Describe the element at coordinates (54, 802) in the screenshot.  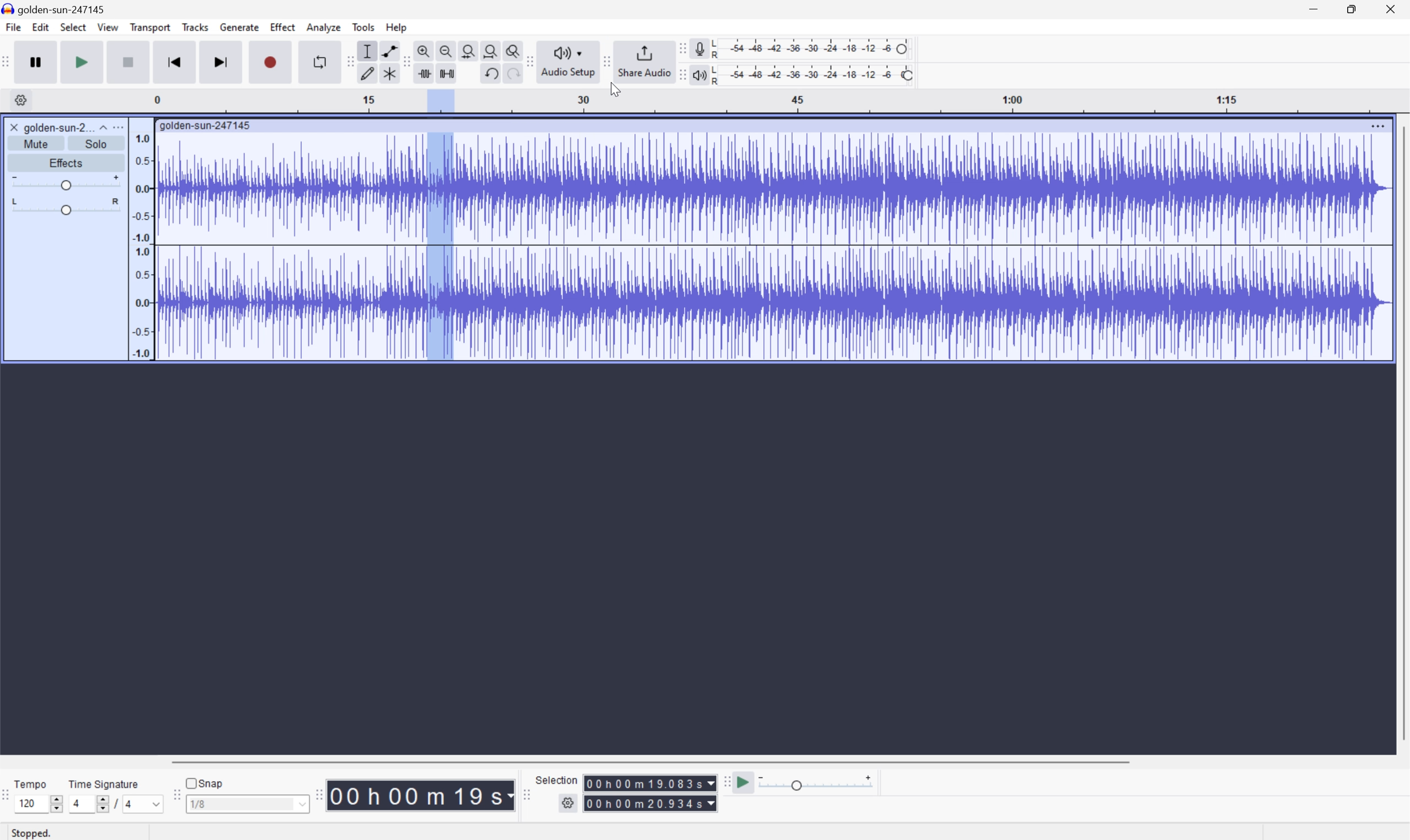
I see `Slider` at that location.